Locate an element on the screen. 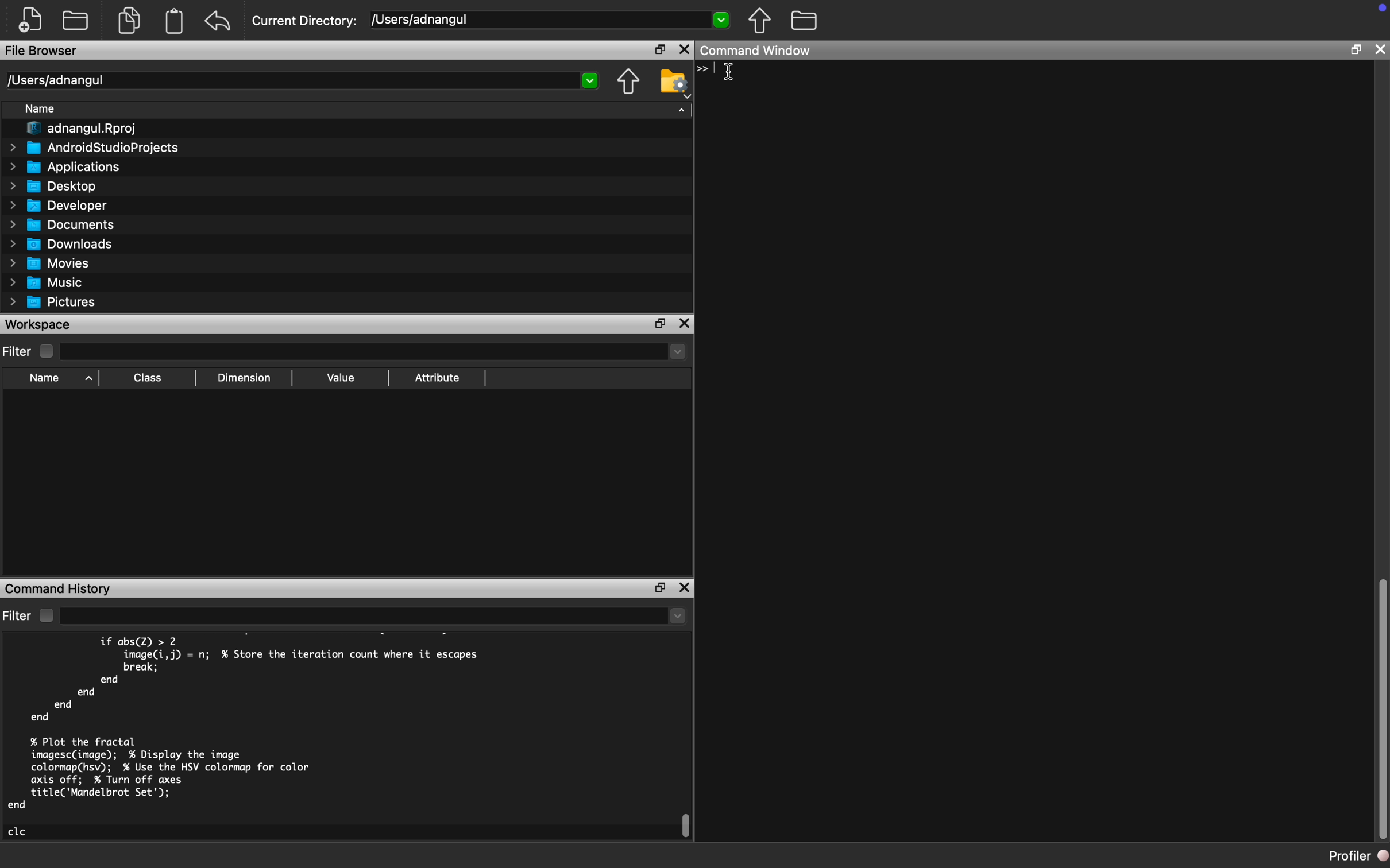 Image resolution: width=1390 pixels, height=868 pixels. adnangul.Rproj is located at coordinates (83, 129).